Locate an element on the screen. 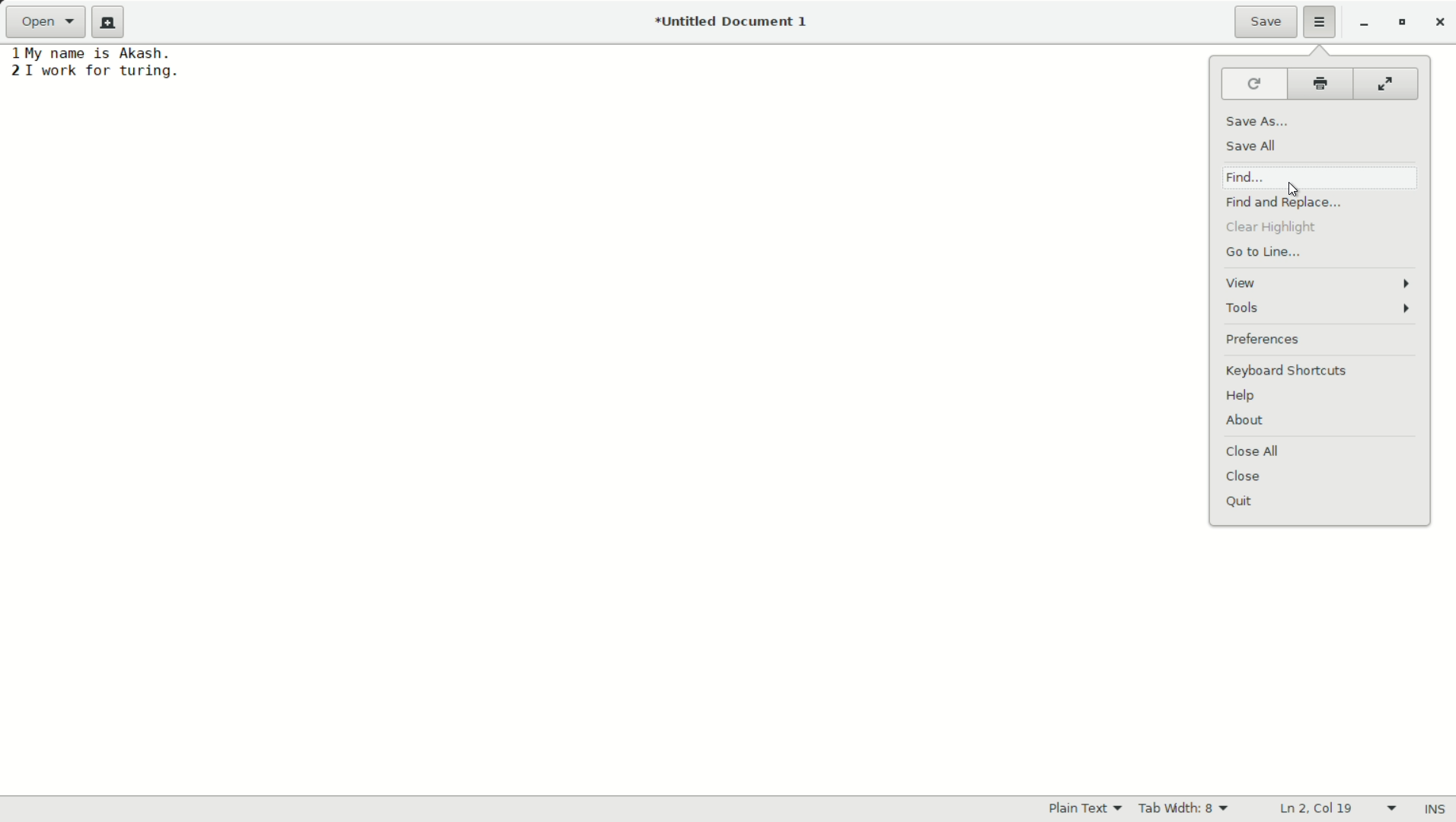 The width and height of the screenshot is (1456, 822). minimize is located at coordinates (1365, 24).